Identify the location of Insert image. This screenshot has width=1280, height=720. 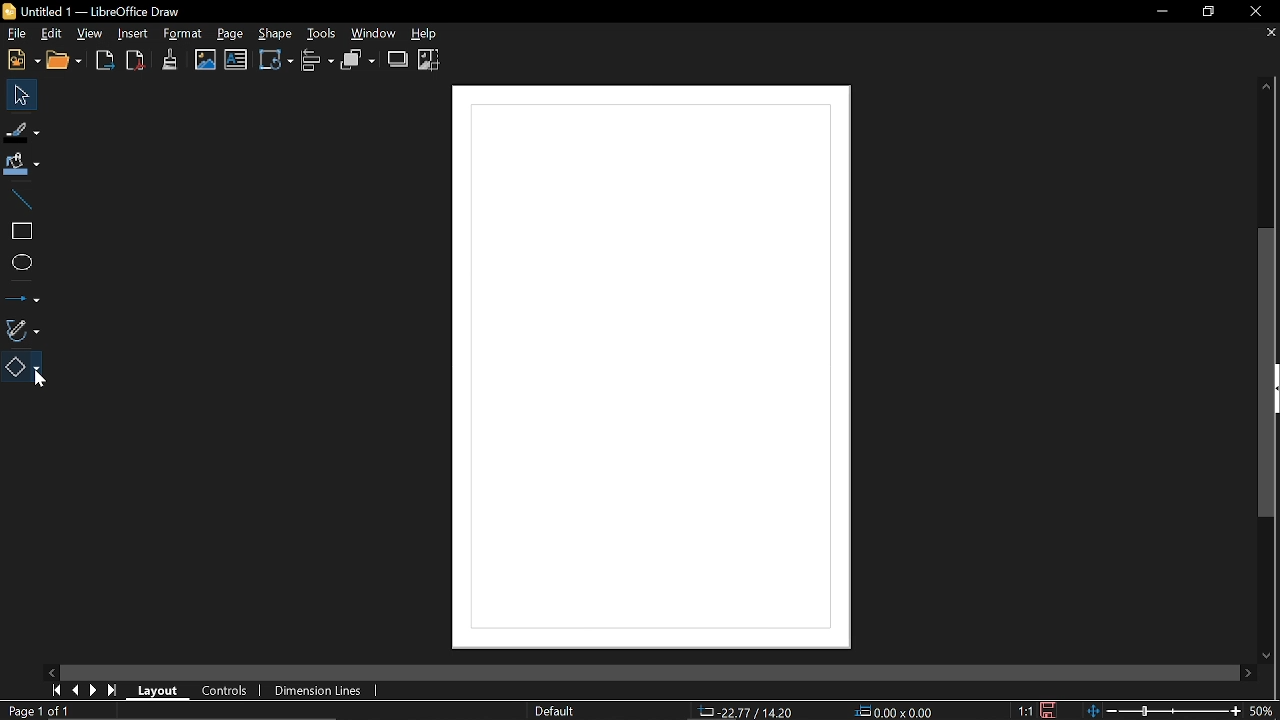
(236, 60).